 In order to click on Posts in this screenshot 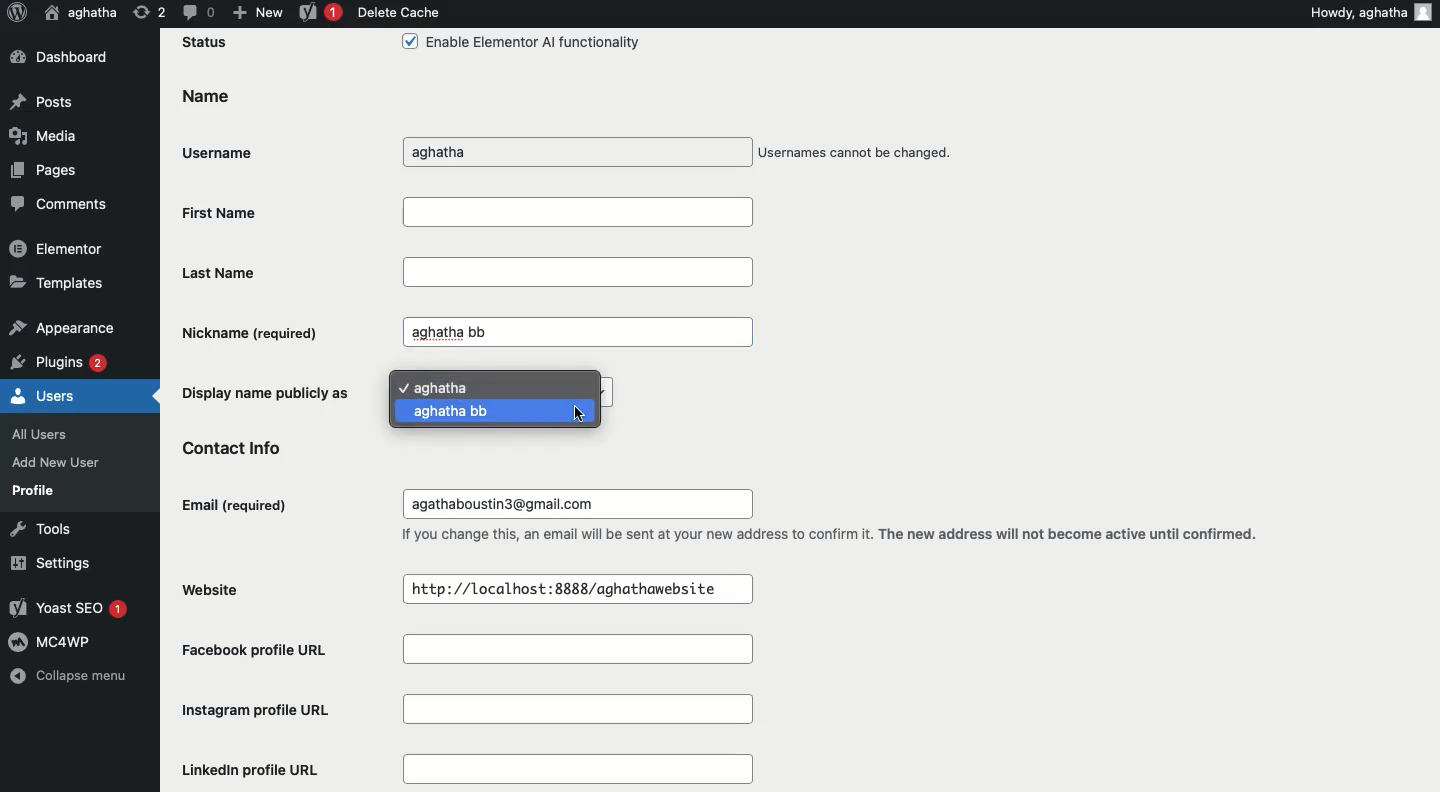, I will do `click(43, 104)`.